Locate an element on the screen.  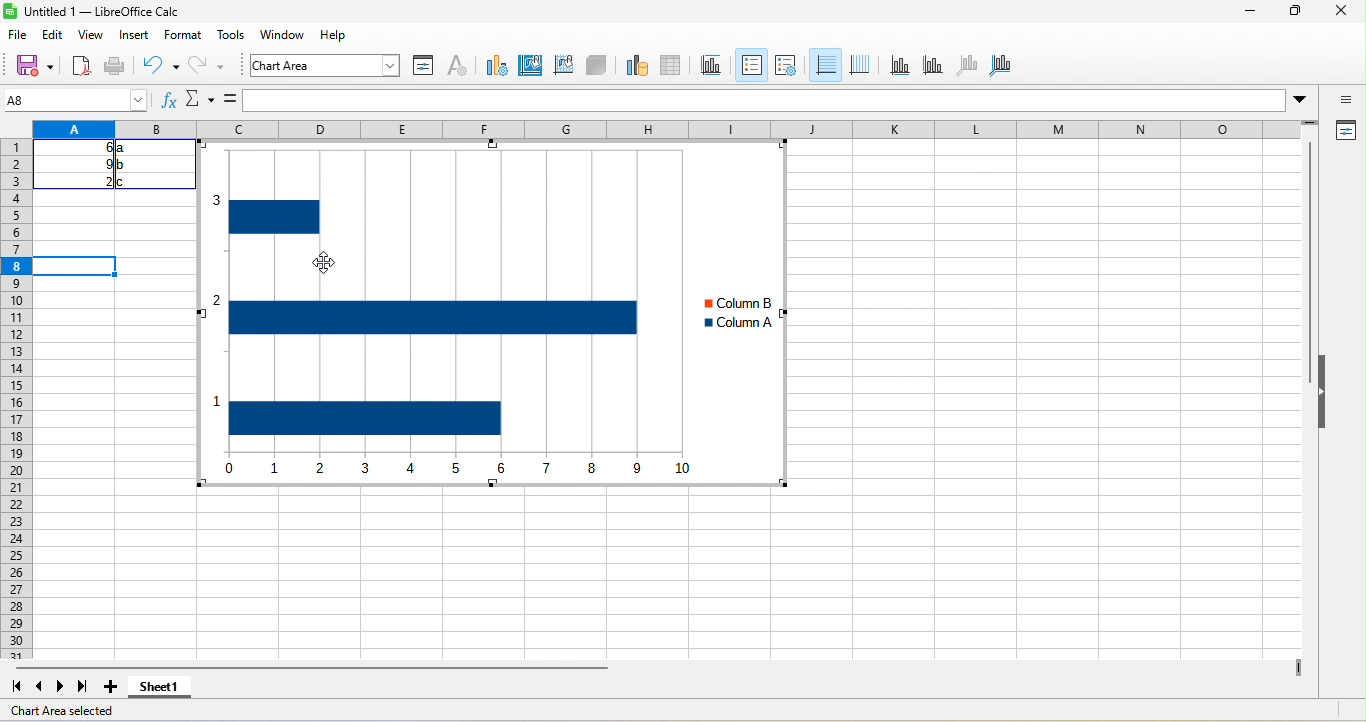
format is located at coordinates (182, 36).